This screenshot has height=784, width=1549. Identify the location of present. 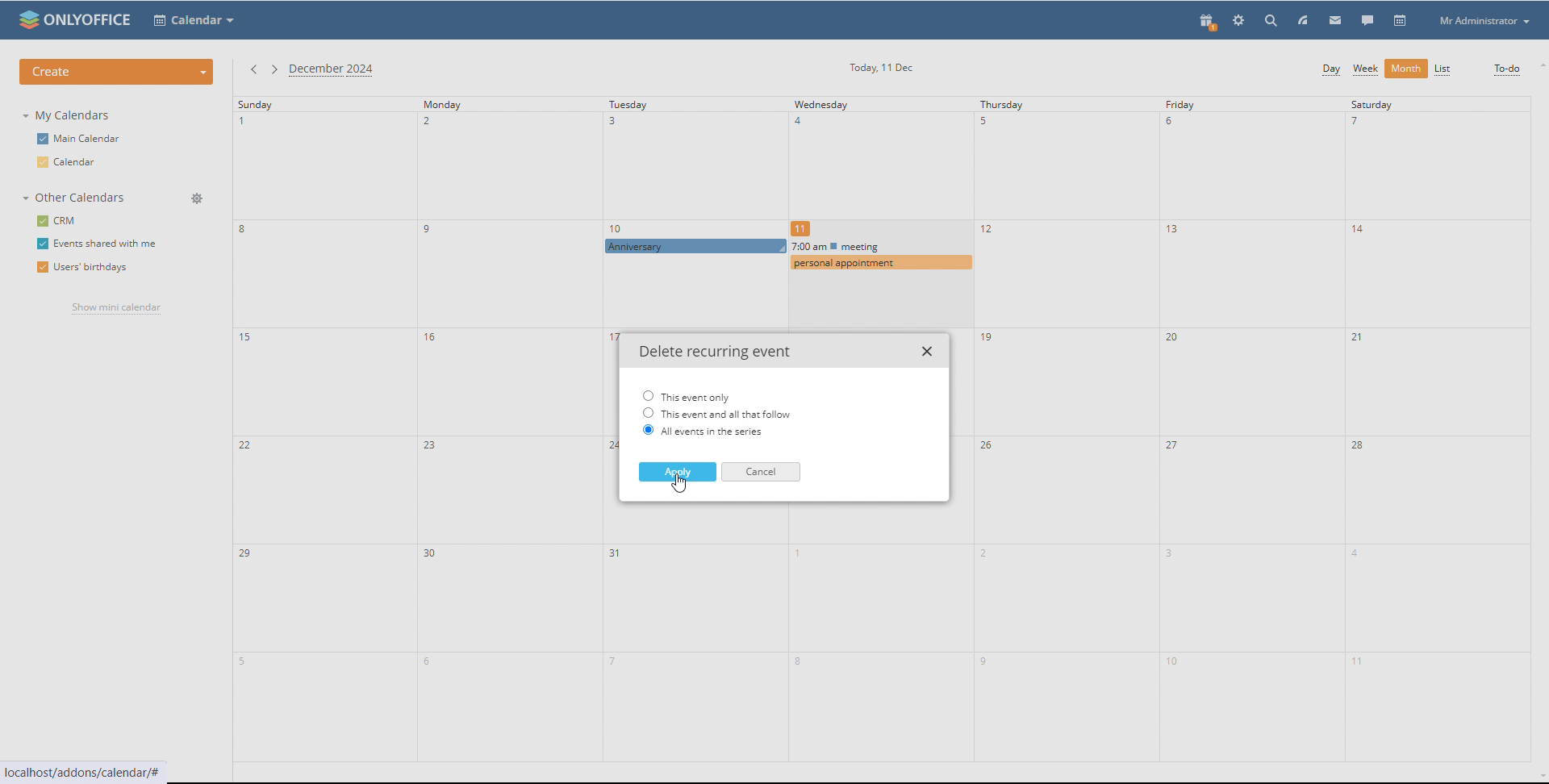
(1209, 23).